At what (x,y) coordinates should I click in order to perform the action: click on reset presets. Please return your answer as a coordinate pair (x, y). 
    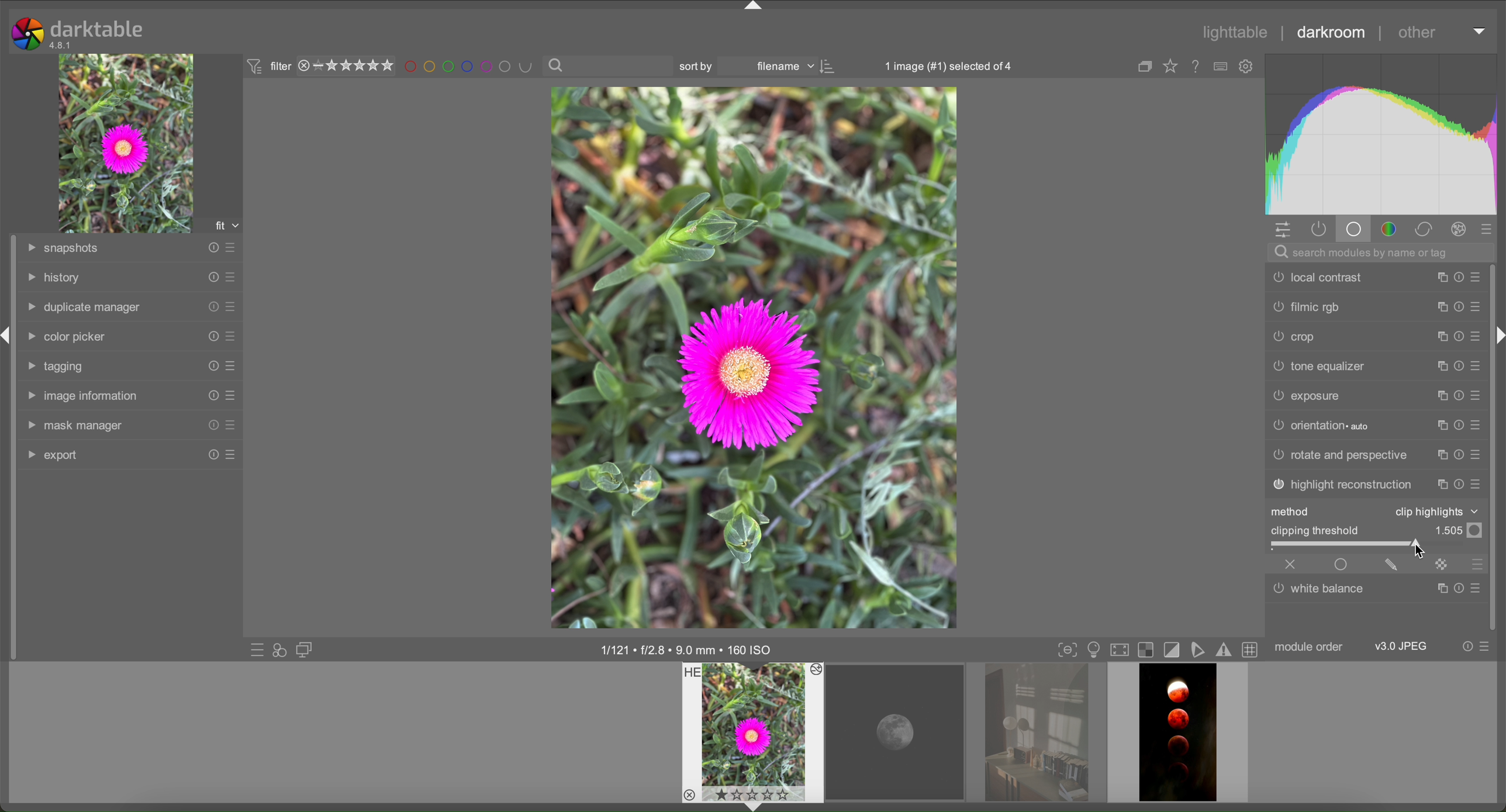
    Looking at the image, I should click on (210, 395).